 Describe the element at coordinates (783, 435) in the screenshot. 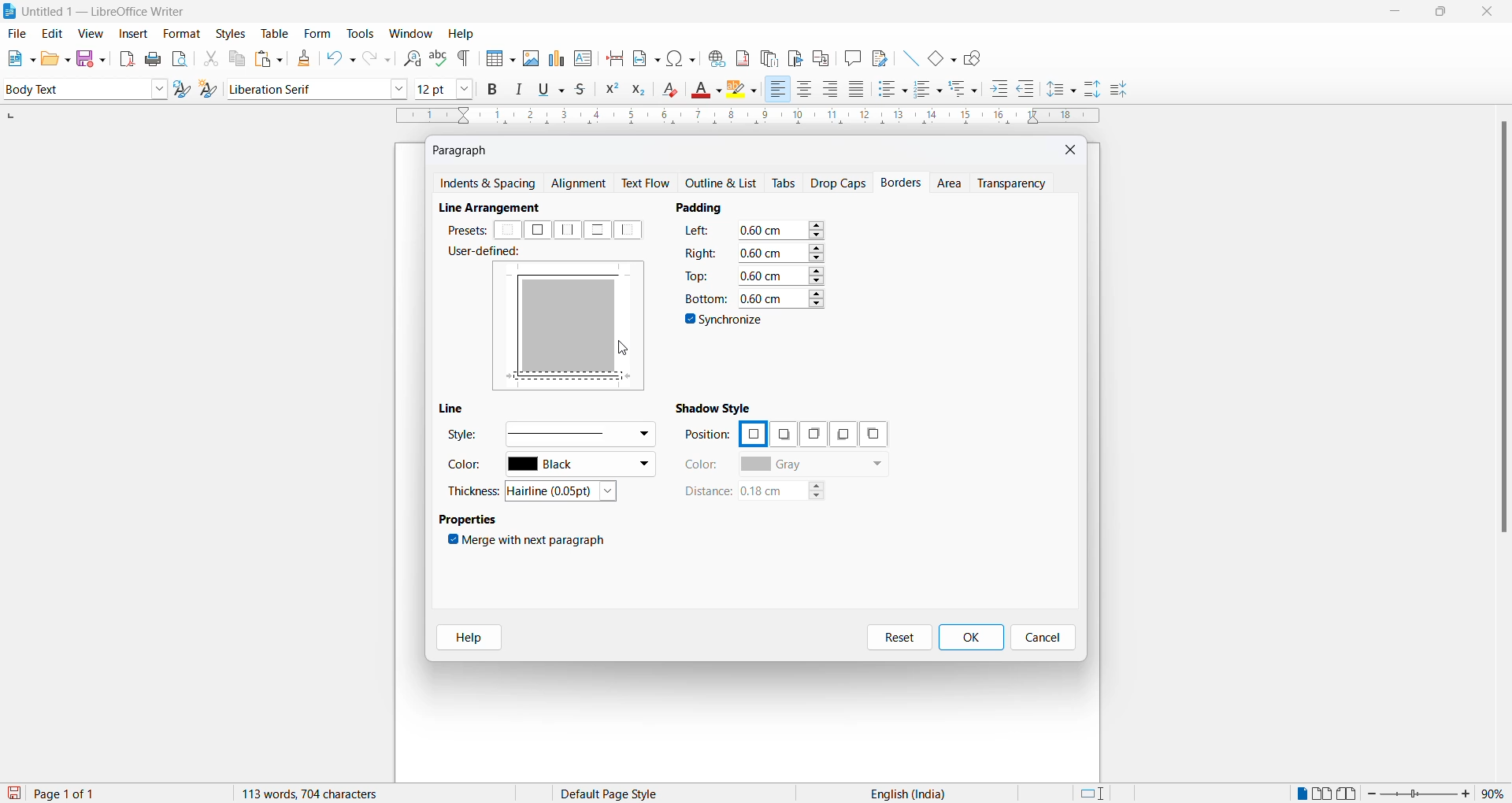

I see `position options` at that location.